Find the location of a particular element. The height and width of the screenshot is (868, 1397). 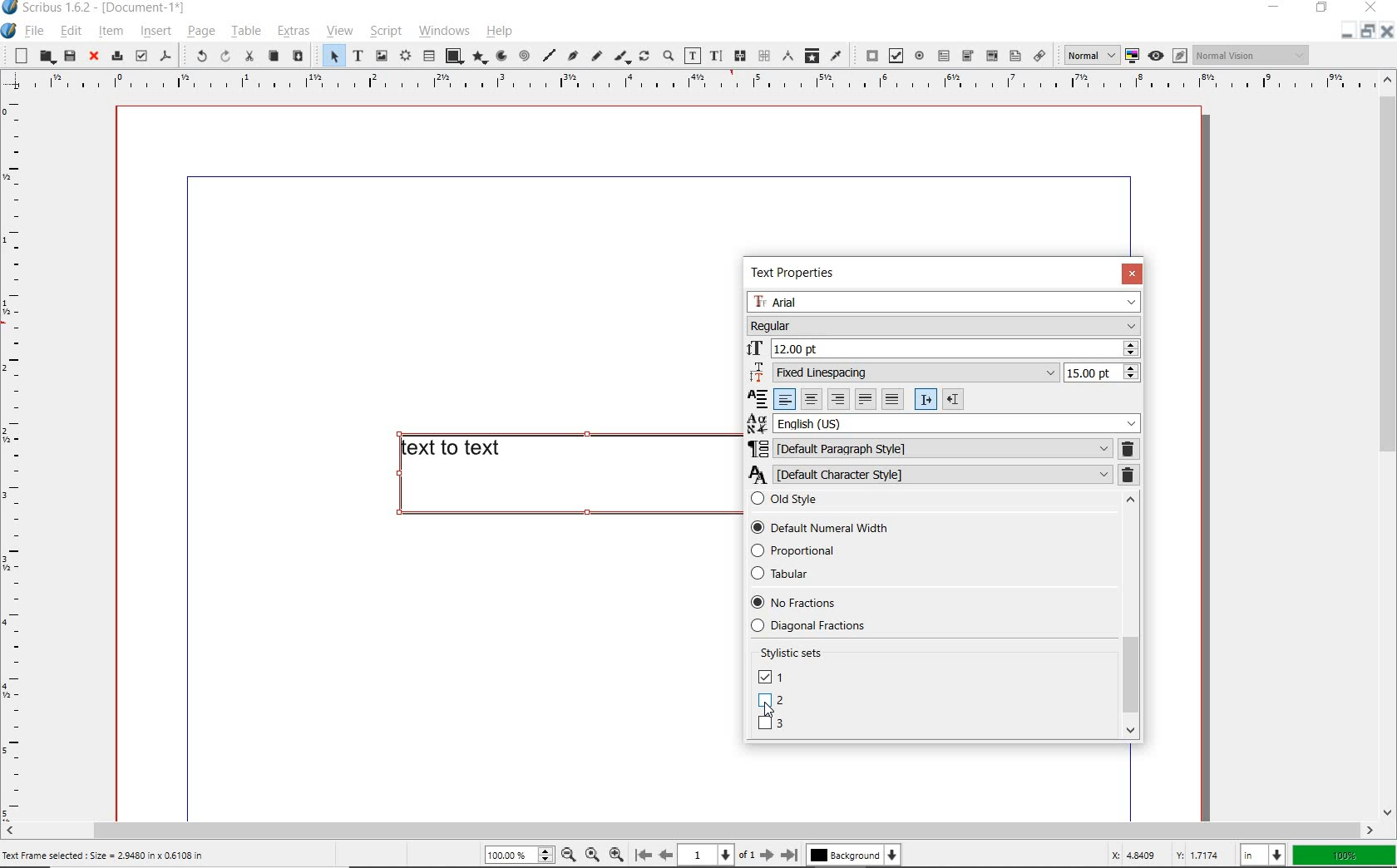

Close is located at coordinates (1385, 33).